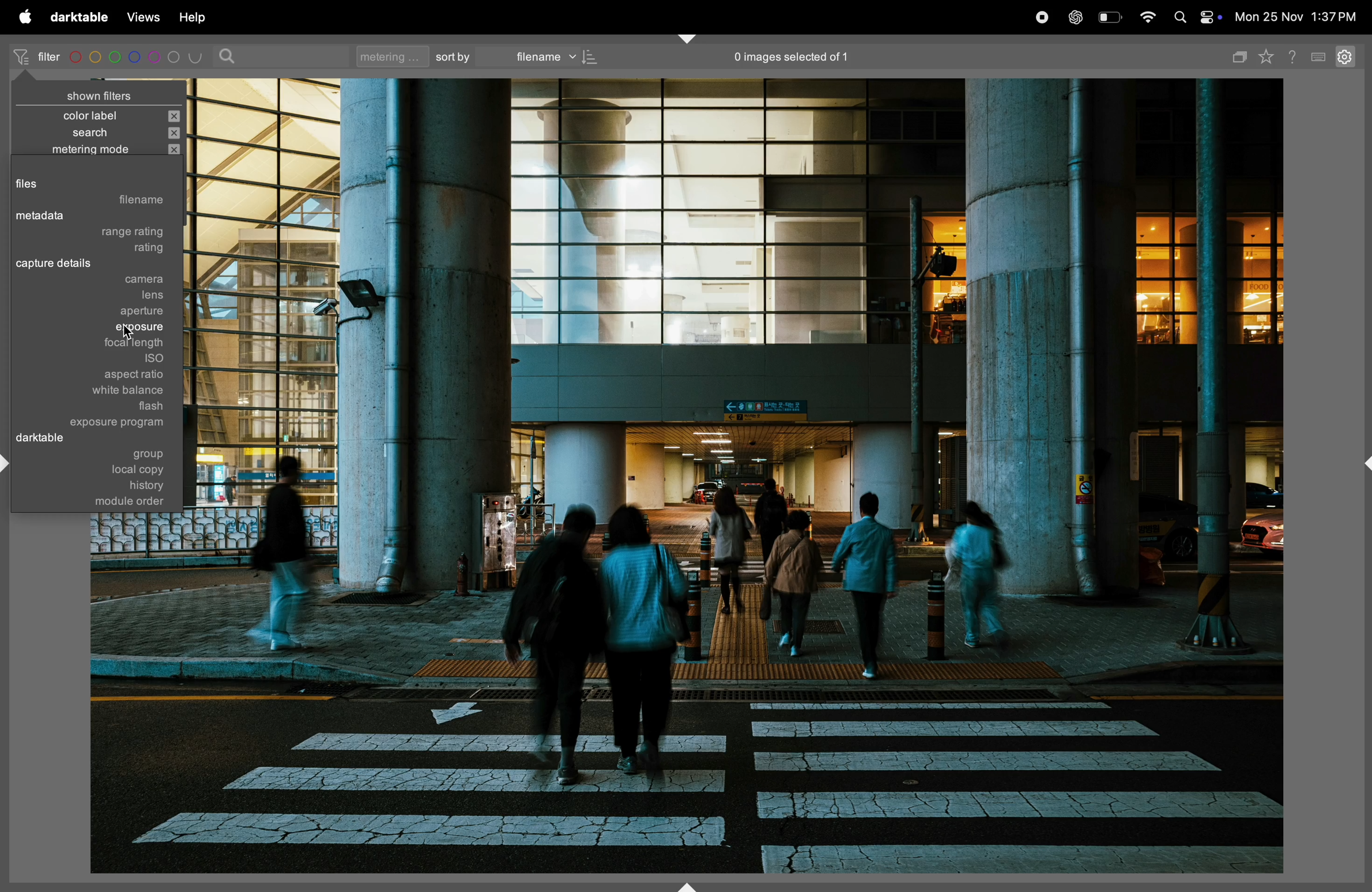  I want to click on copy, so click(1240, 55).